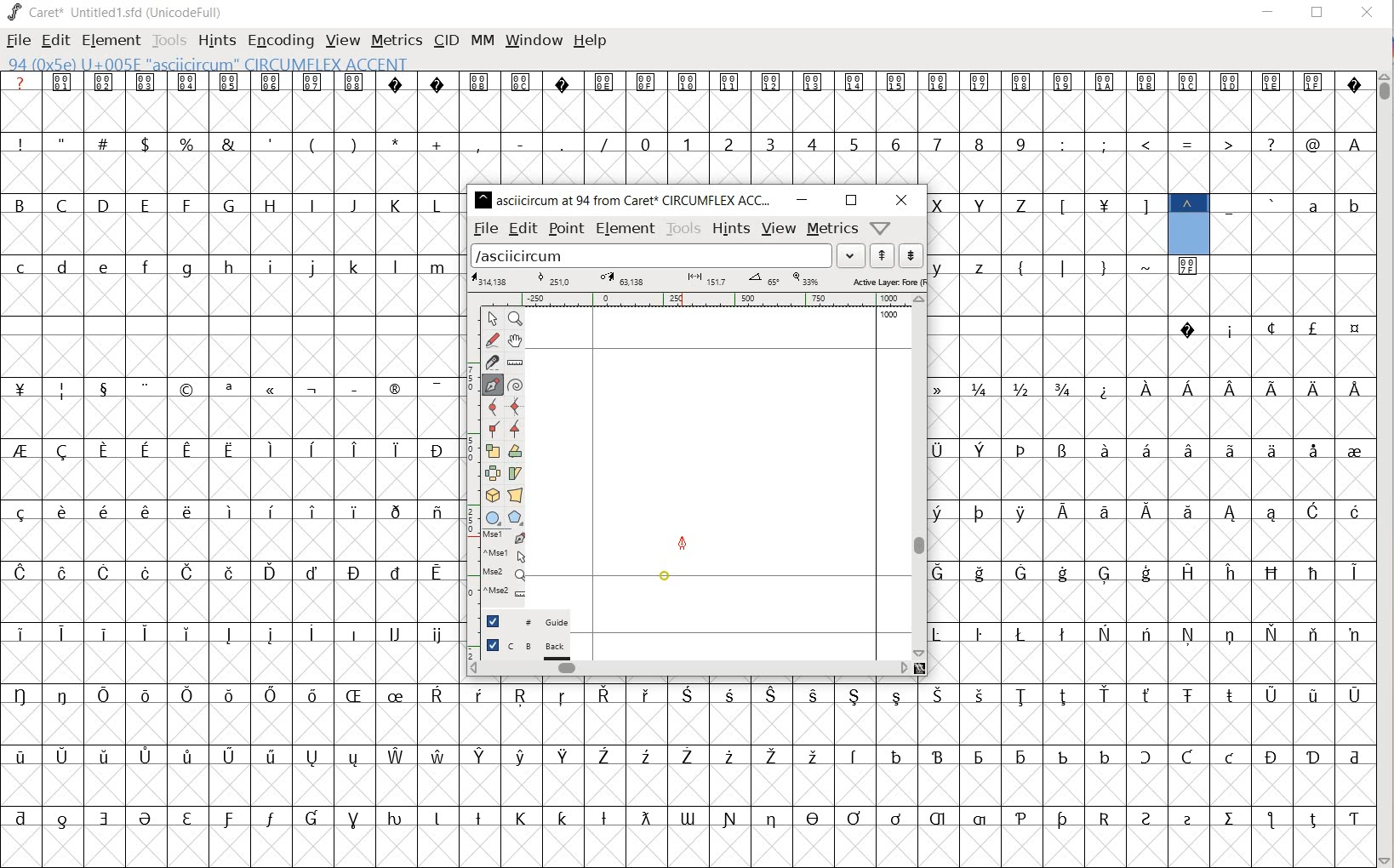  Describe the element at coordinates (117, 11) in the screenshot. I see `caret* untitled1.sfd (unicodefull)` at that location.